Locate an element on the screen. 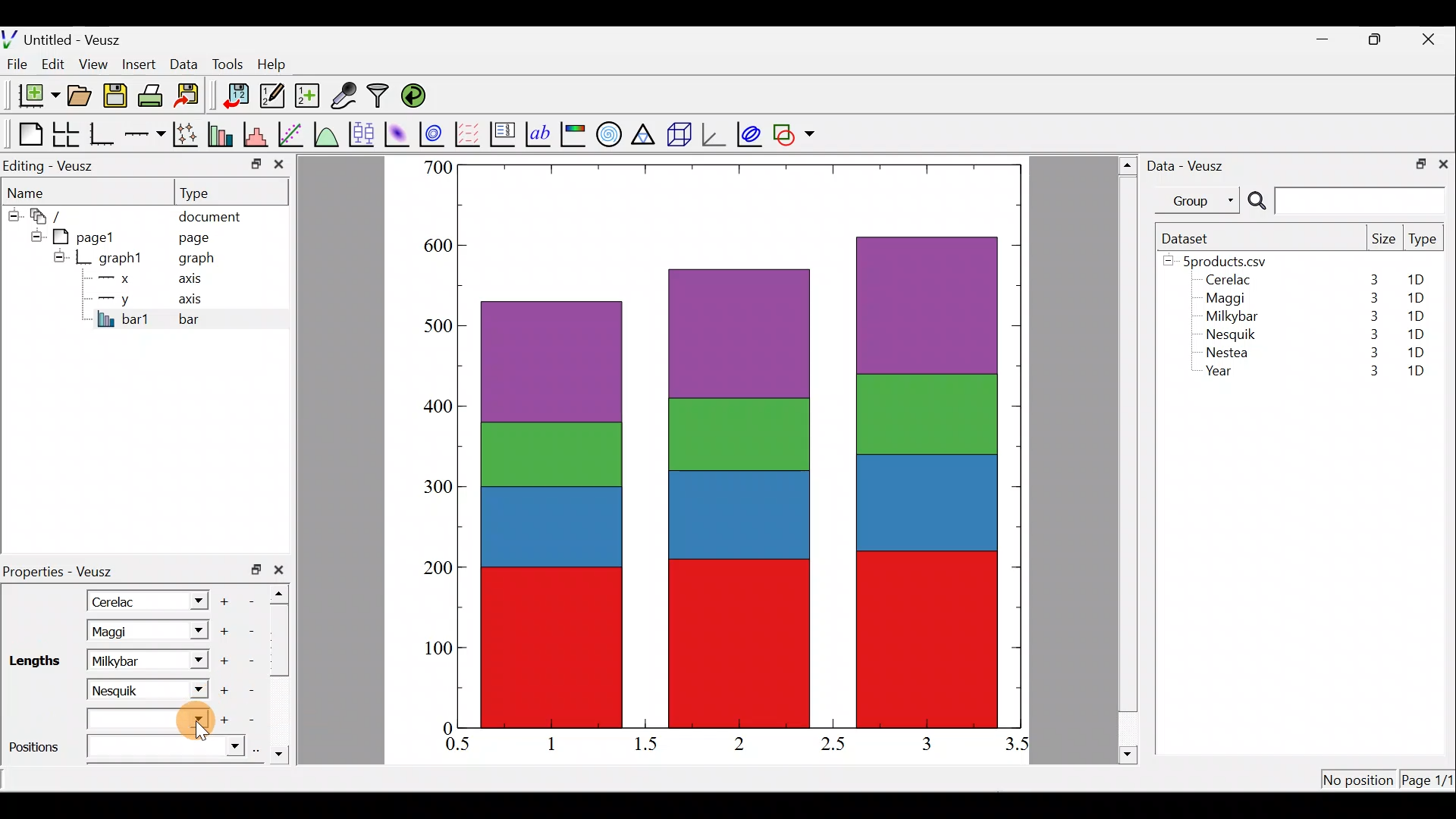 The image size is (1456, 819). Plot bar charts is located at coordinates (222, 133).